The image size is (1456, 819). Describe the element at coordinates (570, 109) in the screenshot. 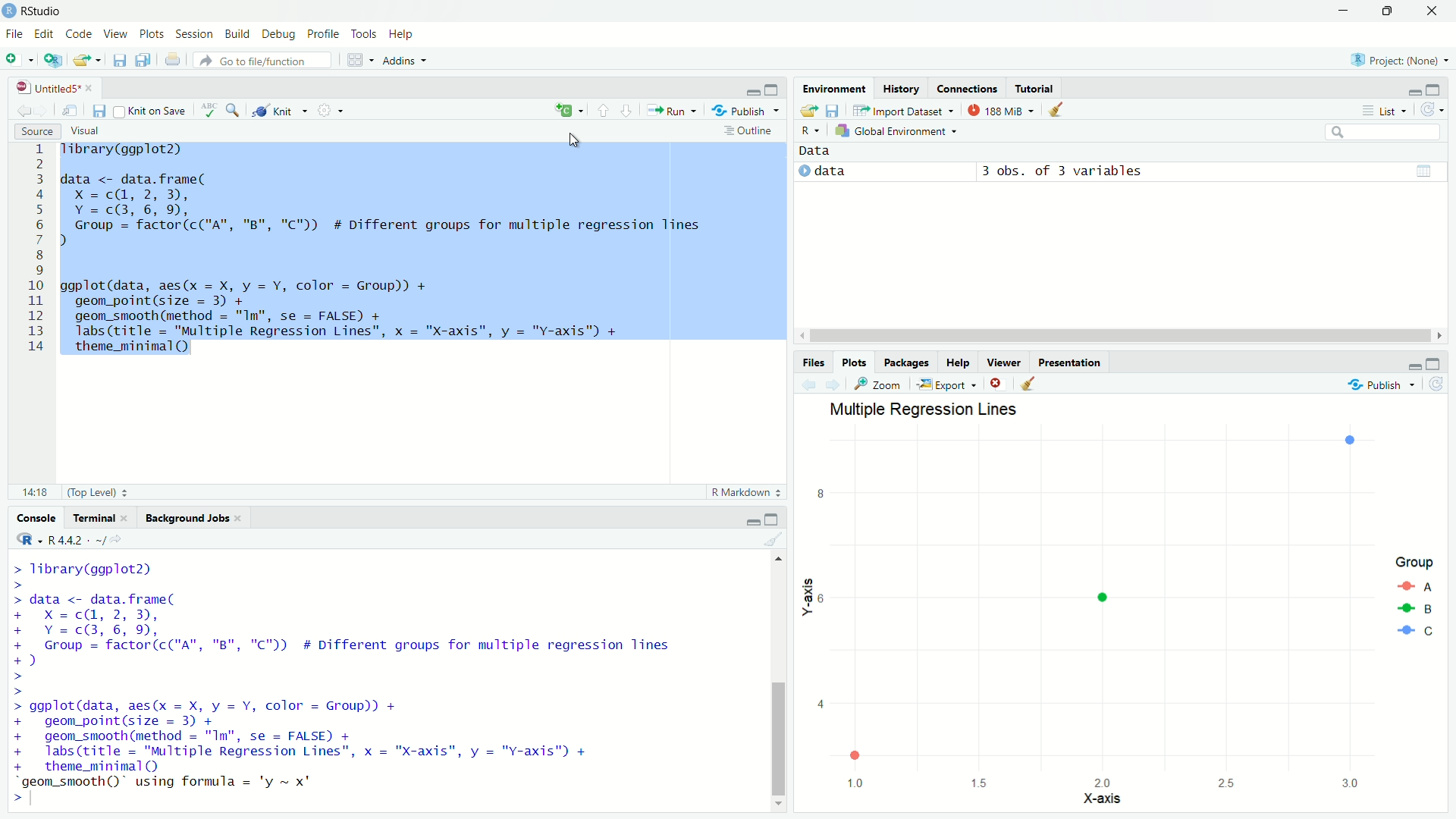

I see `add` at that location.